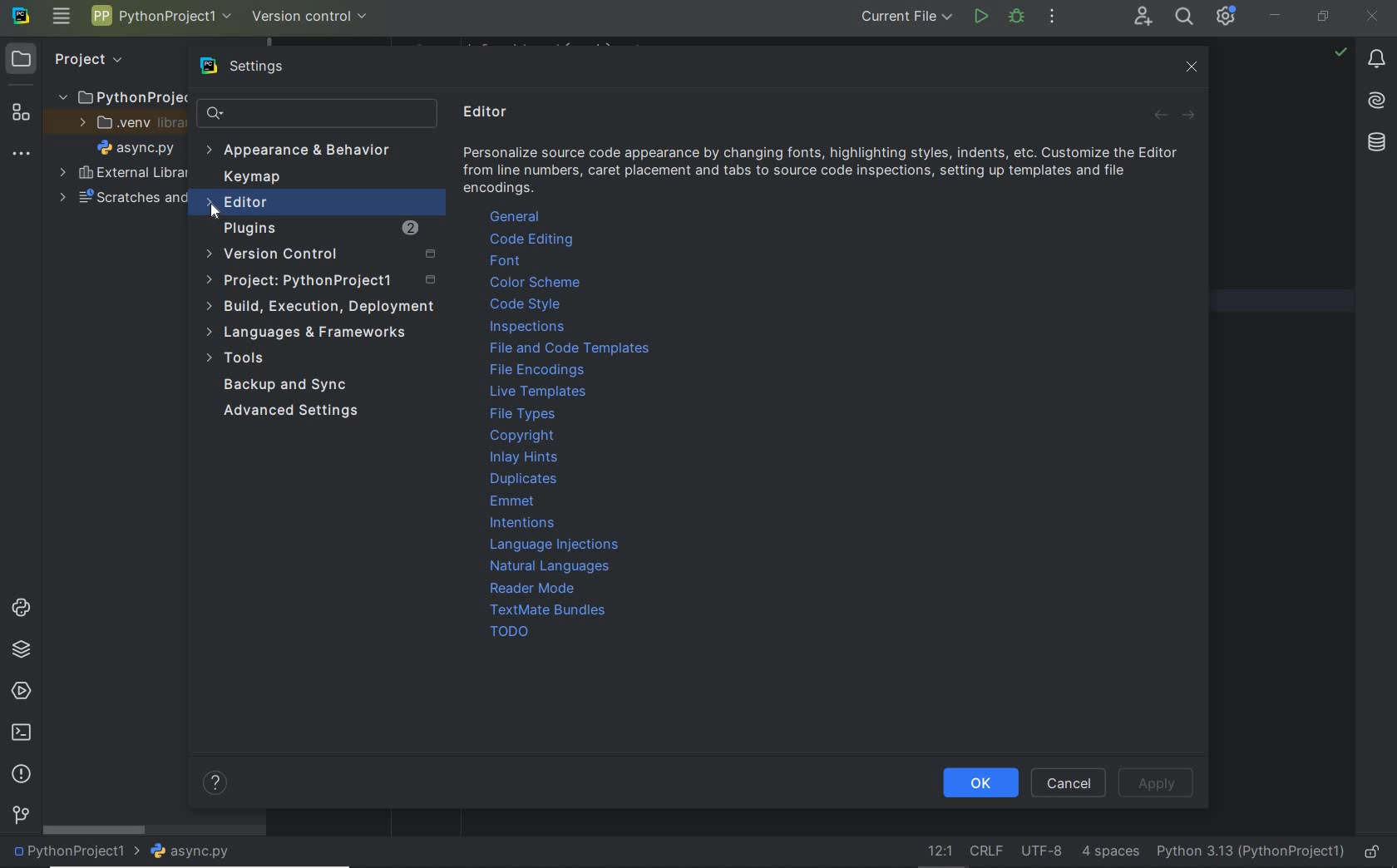  What do you see at coordinates (1042, 851) in the screenshot?
I see `file encoding` at bounding box center [1042, 851].